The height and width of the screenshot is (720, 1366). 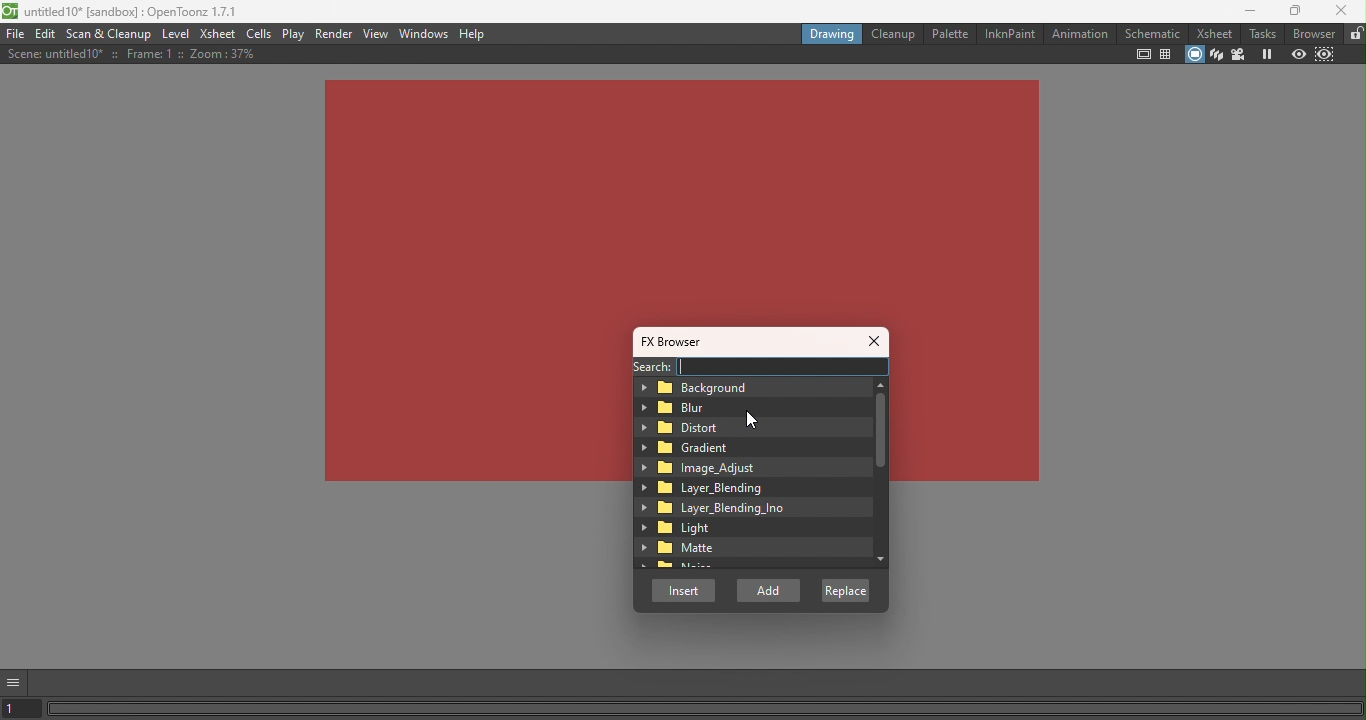 What do you see at coordinates (1240, 53) in the screenshot?
I see `Camera view` at bounding box center [1240, 53].